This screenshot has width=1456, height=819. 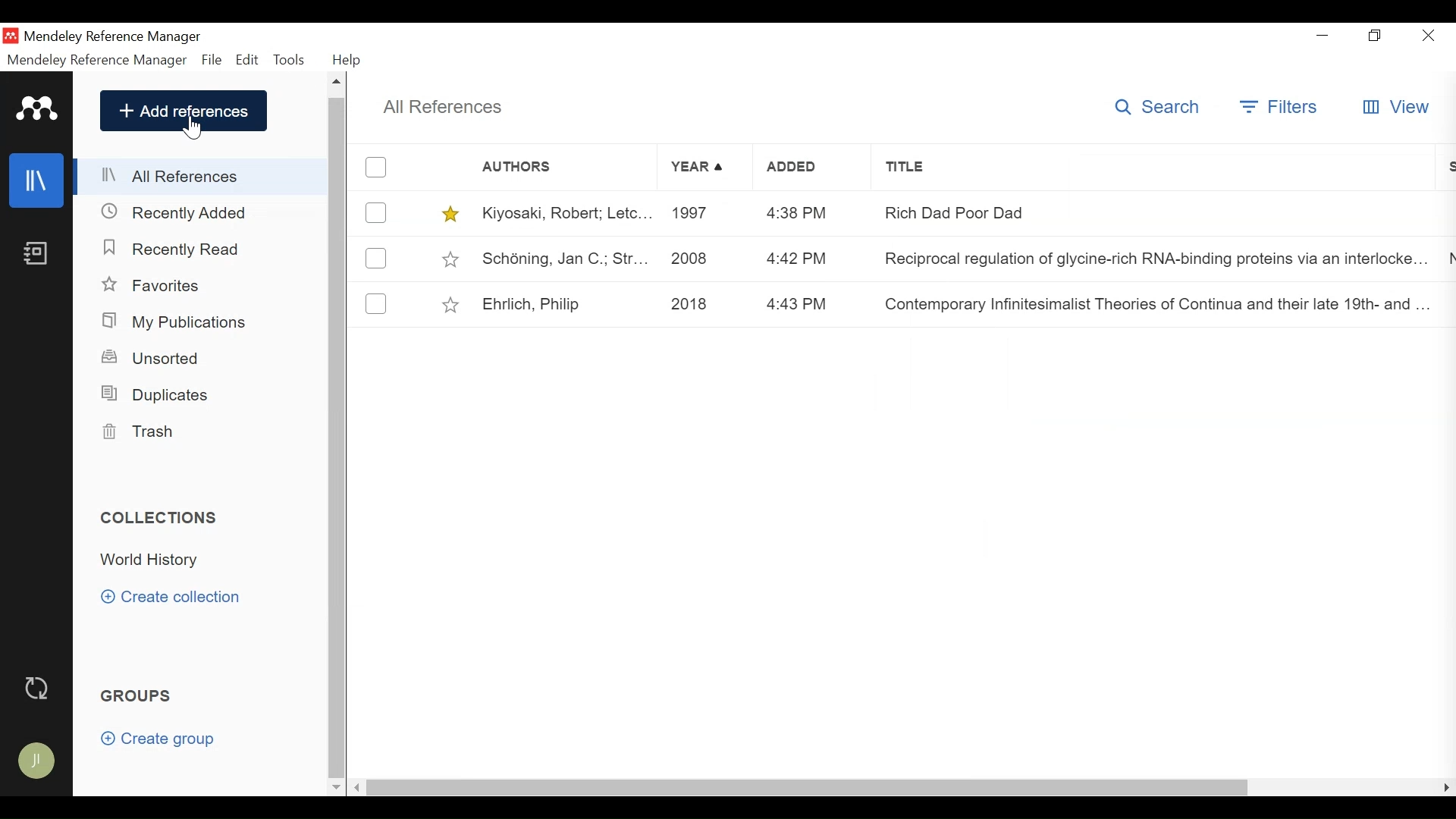 What do you see at coordinates (1150, 262) in the screenshot?
I see `Reciprocal regulation of glycine rich RNA binding proteins via an interlocke` at bounding box center [1150, 262].